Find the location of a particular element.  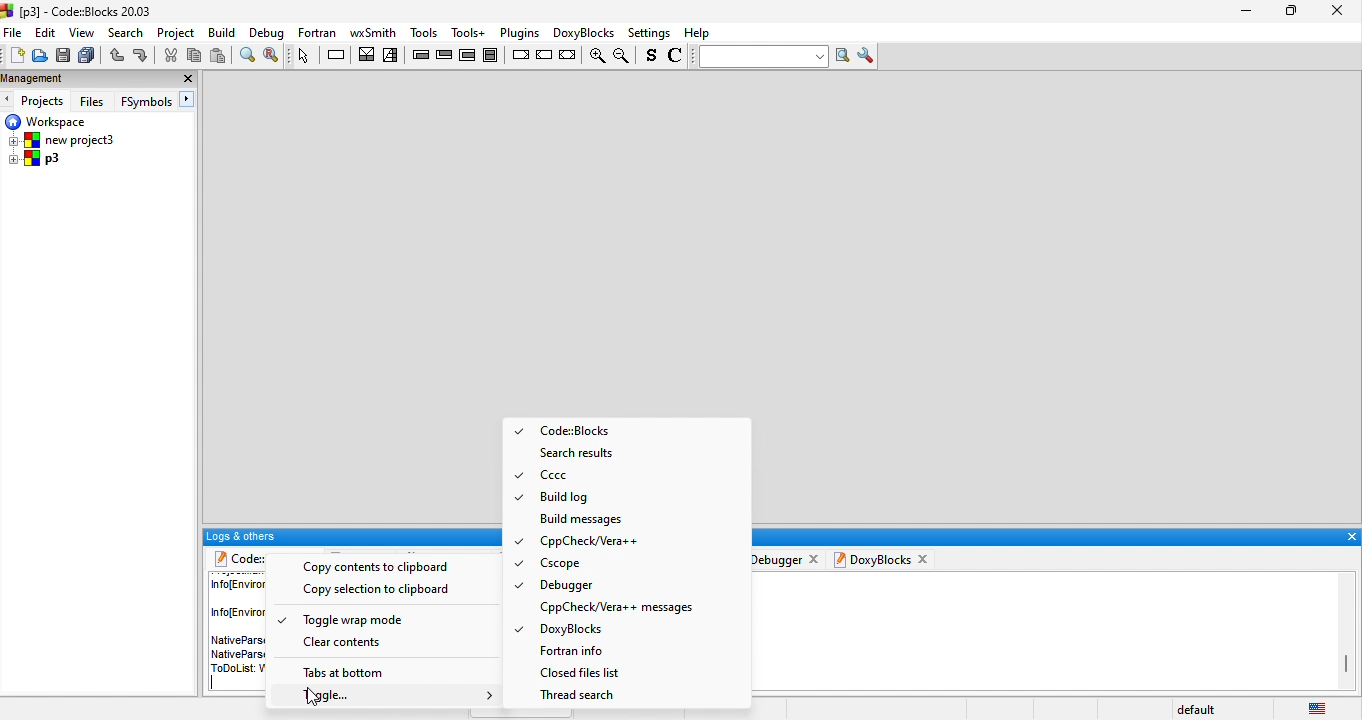

files is located at coordinates (94, 100).